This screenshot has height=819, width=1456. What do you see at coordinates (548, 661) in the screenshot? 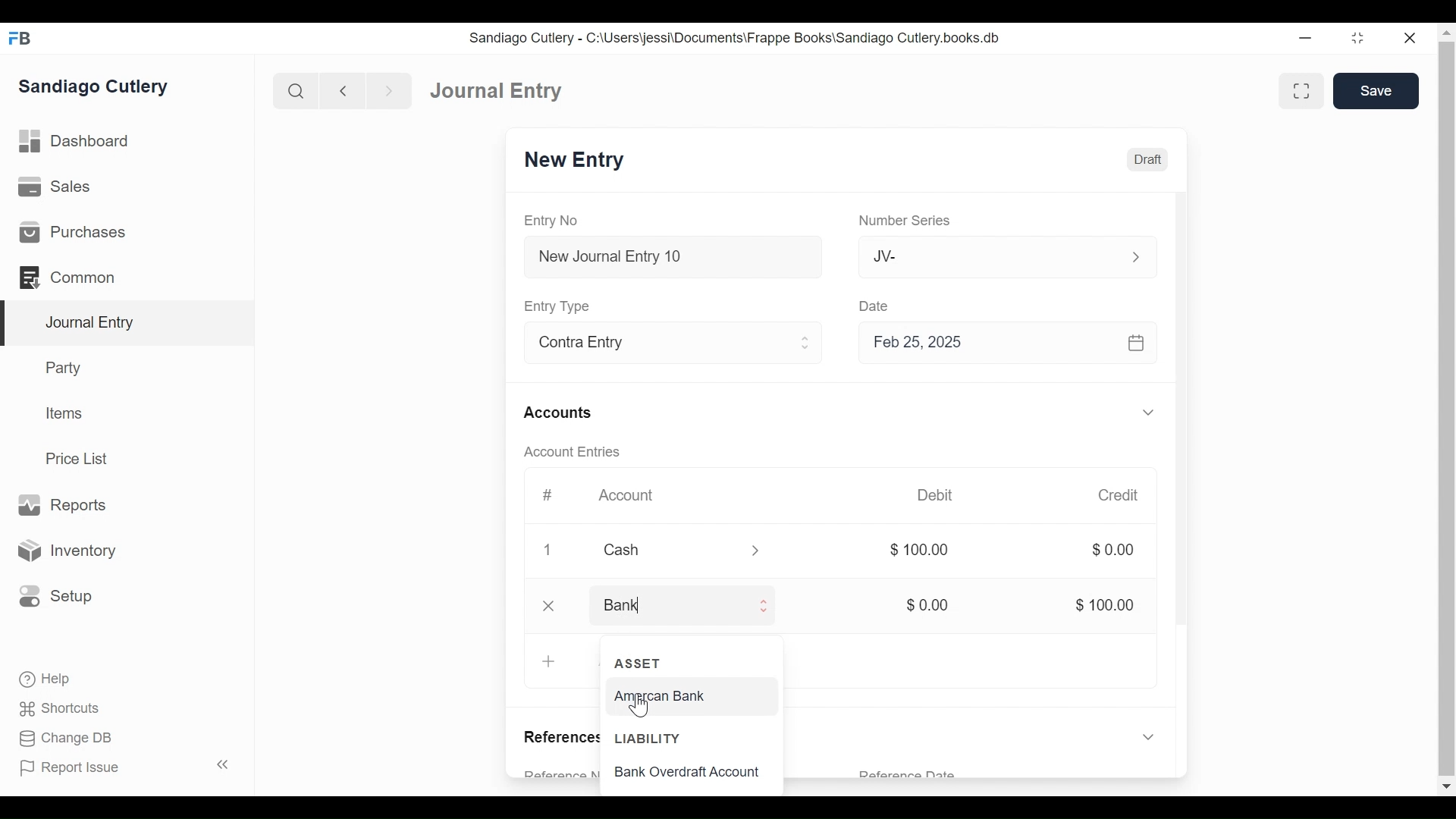
I see `+` at bounding box center [548, 661].